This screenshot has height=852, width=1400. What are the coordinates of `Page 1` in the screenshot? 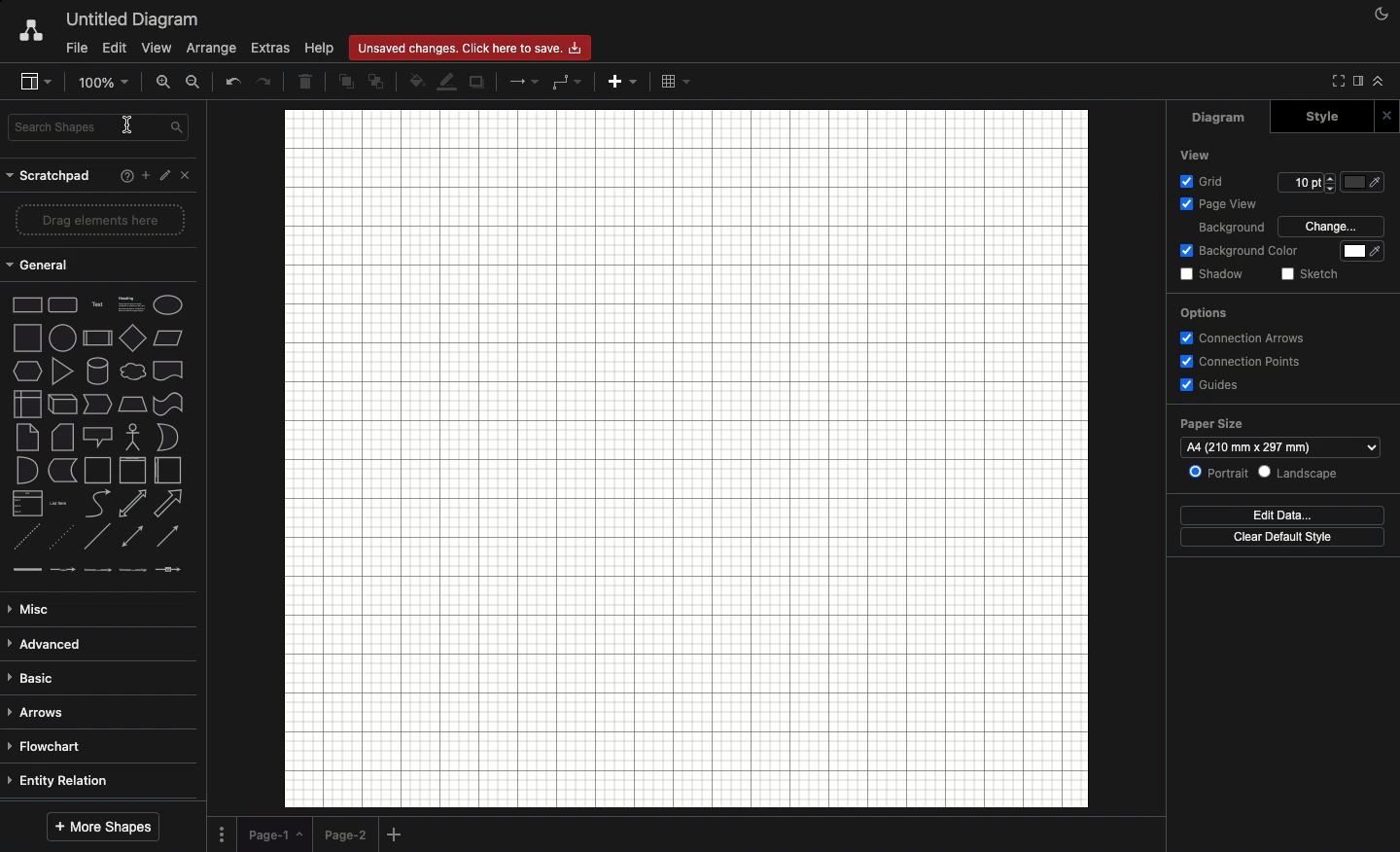 It's located at (274, 832).